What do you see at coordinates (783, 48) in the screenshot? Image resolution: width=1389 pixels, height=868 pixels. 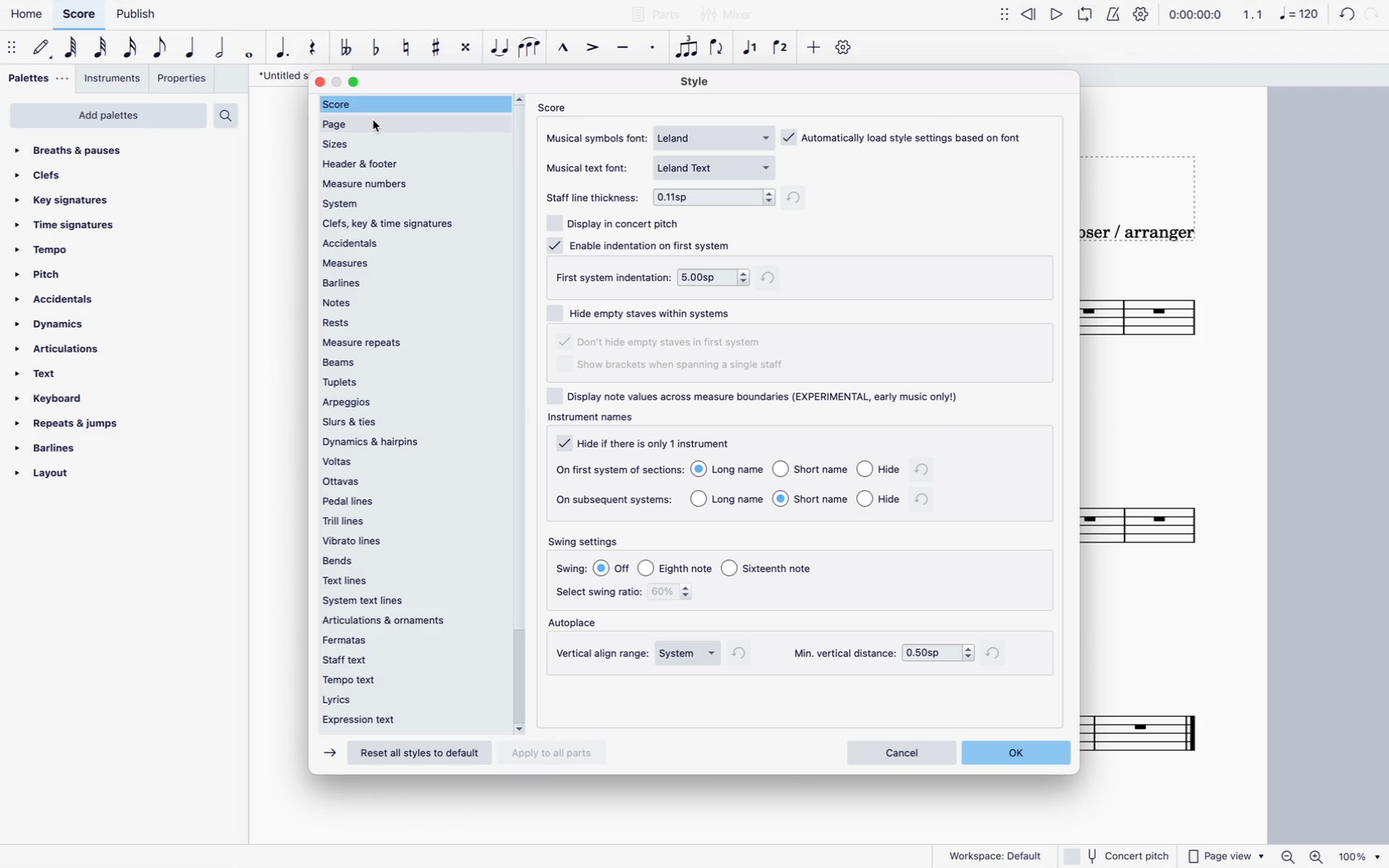 I see `voice 2` at bounding box center [783, 48].